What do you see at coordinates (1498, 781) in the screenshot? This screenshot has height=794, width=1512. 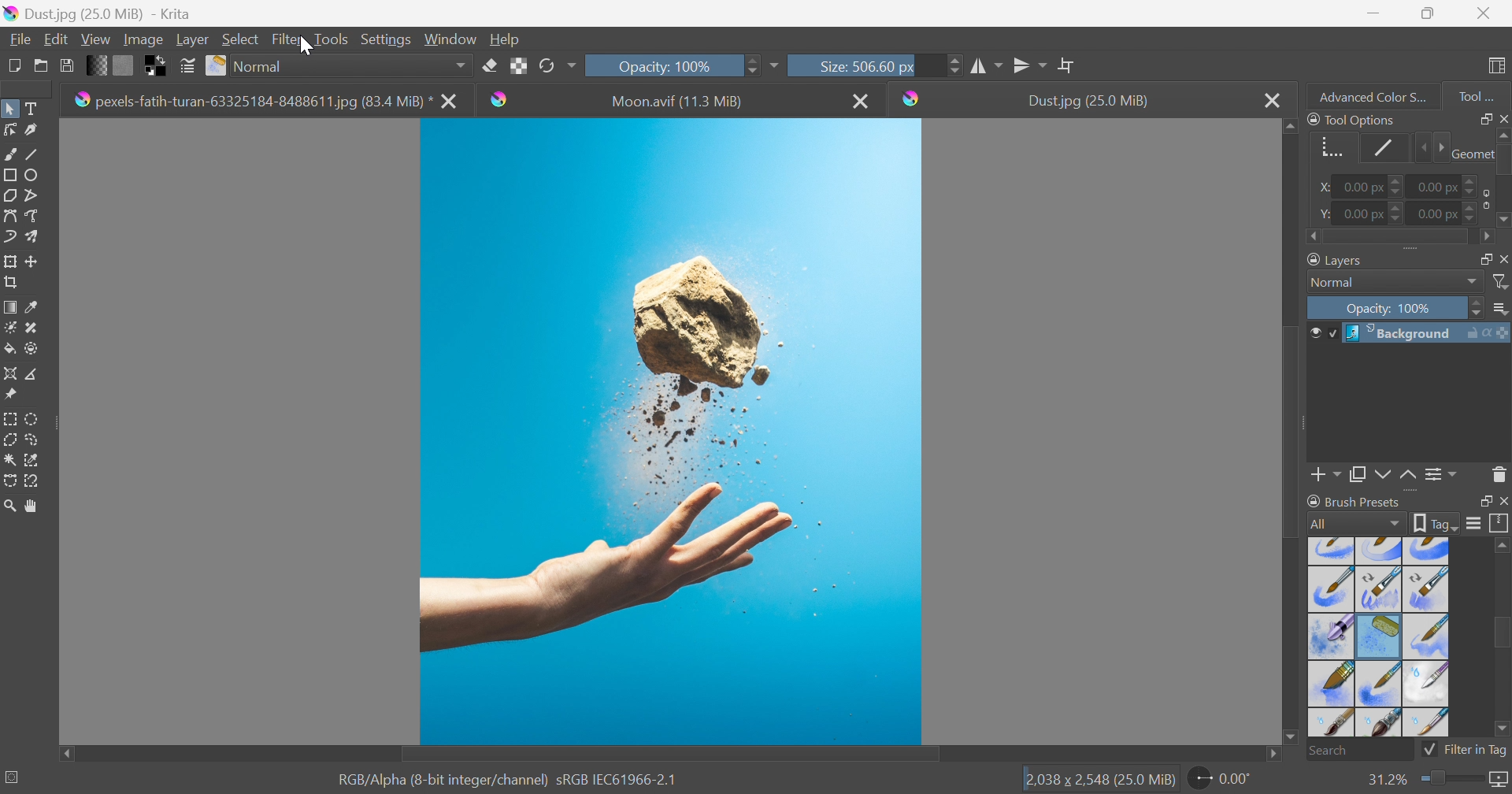 I see `Map the displayed canvas size between pixel size or print size` at bounding box center [1498, 781].